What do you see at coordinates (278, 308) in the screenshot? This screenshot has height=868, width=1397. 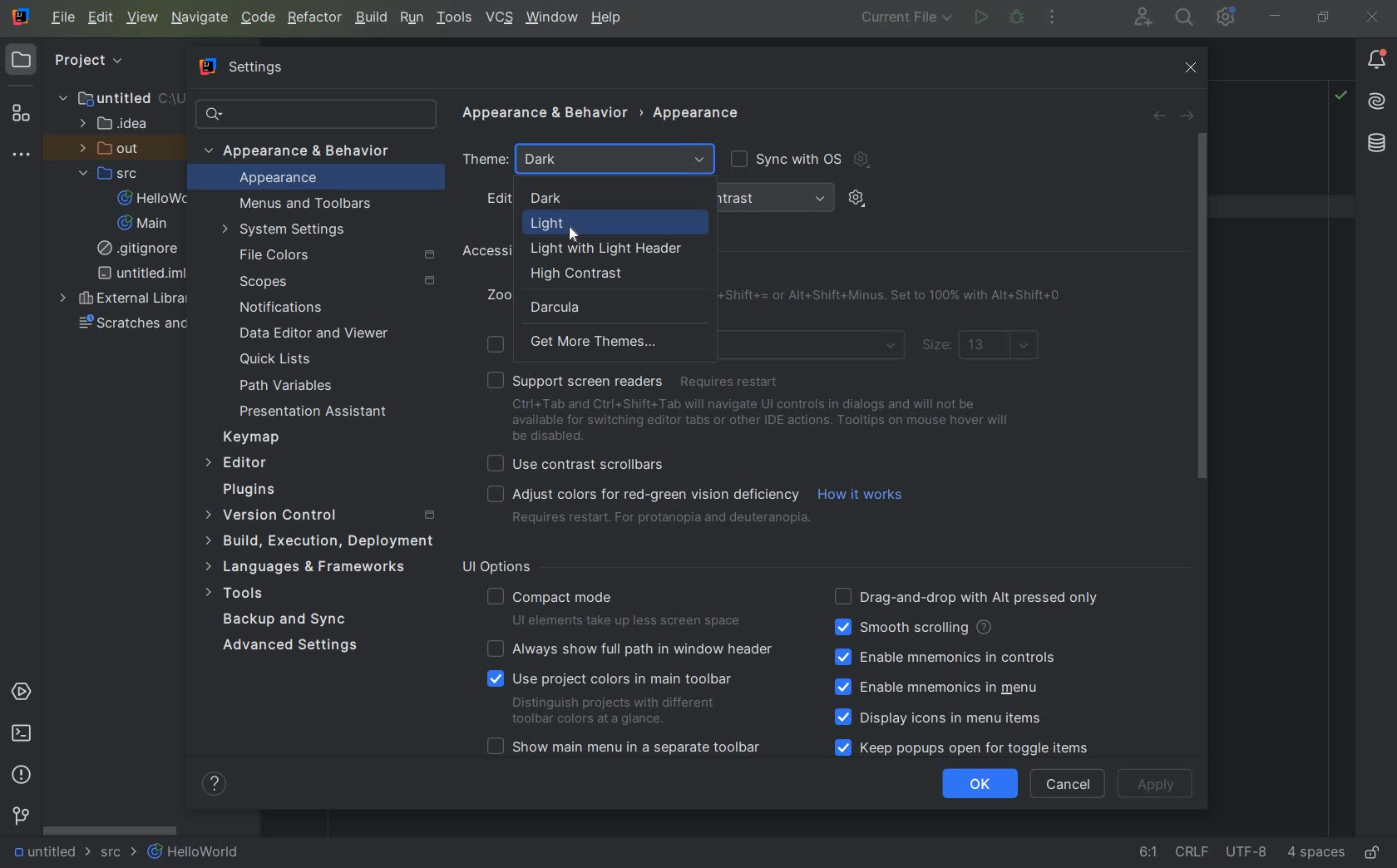 I see `NOTIFICATIONS` at bounding box center [278, 308].